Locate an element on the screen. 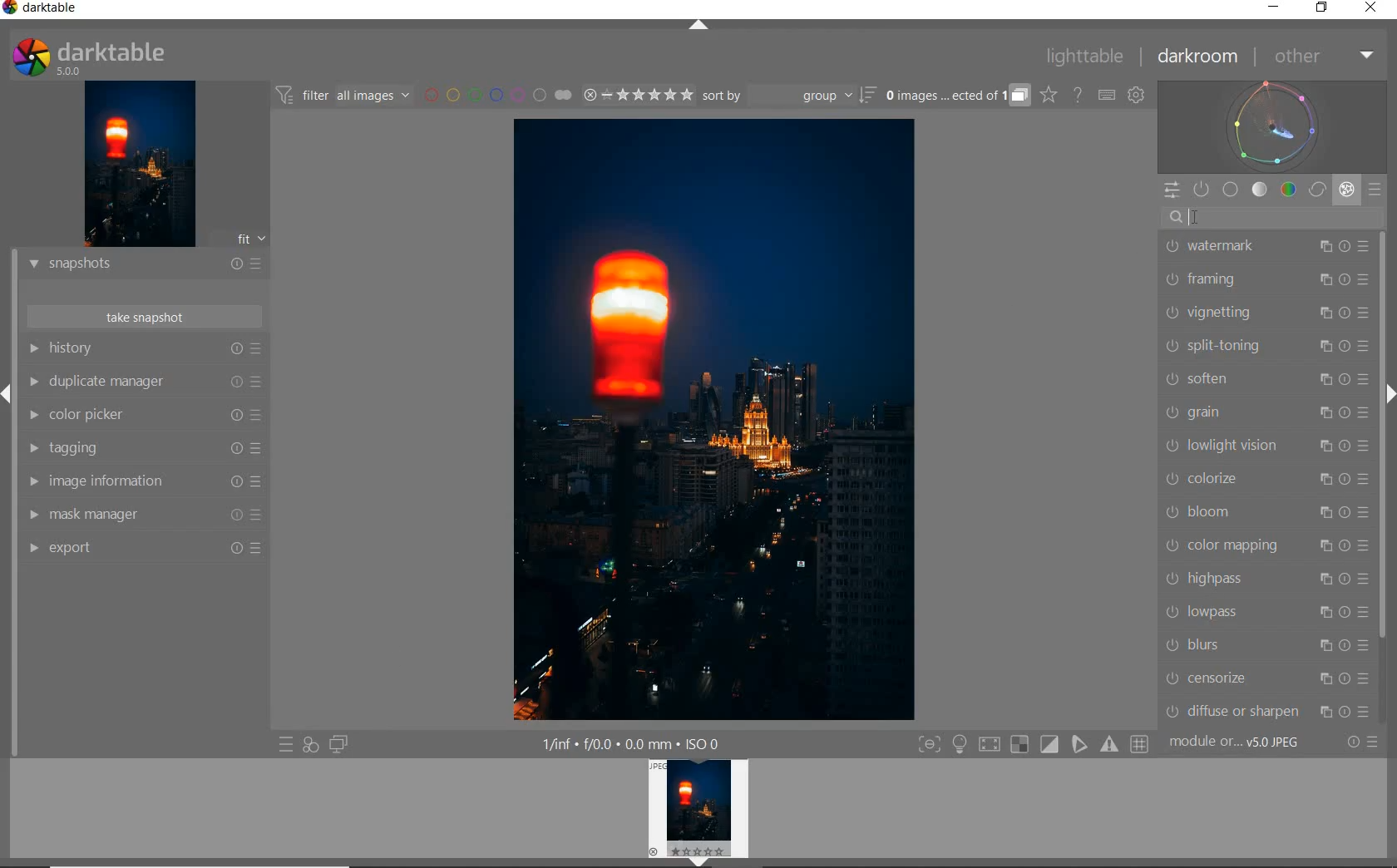  Preset and reset is located at coordinates (1366, 279).